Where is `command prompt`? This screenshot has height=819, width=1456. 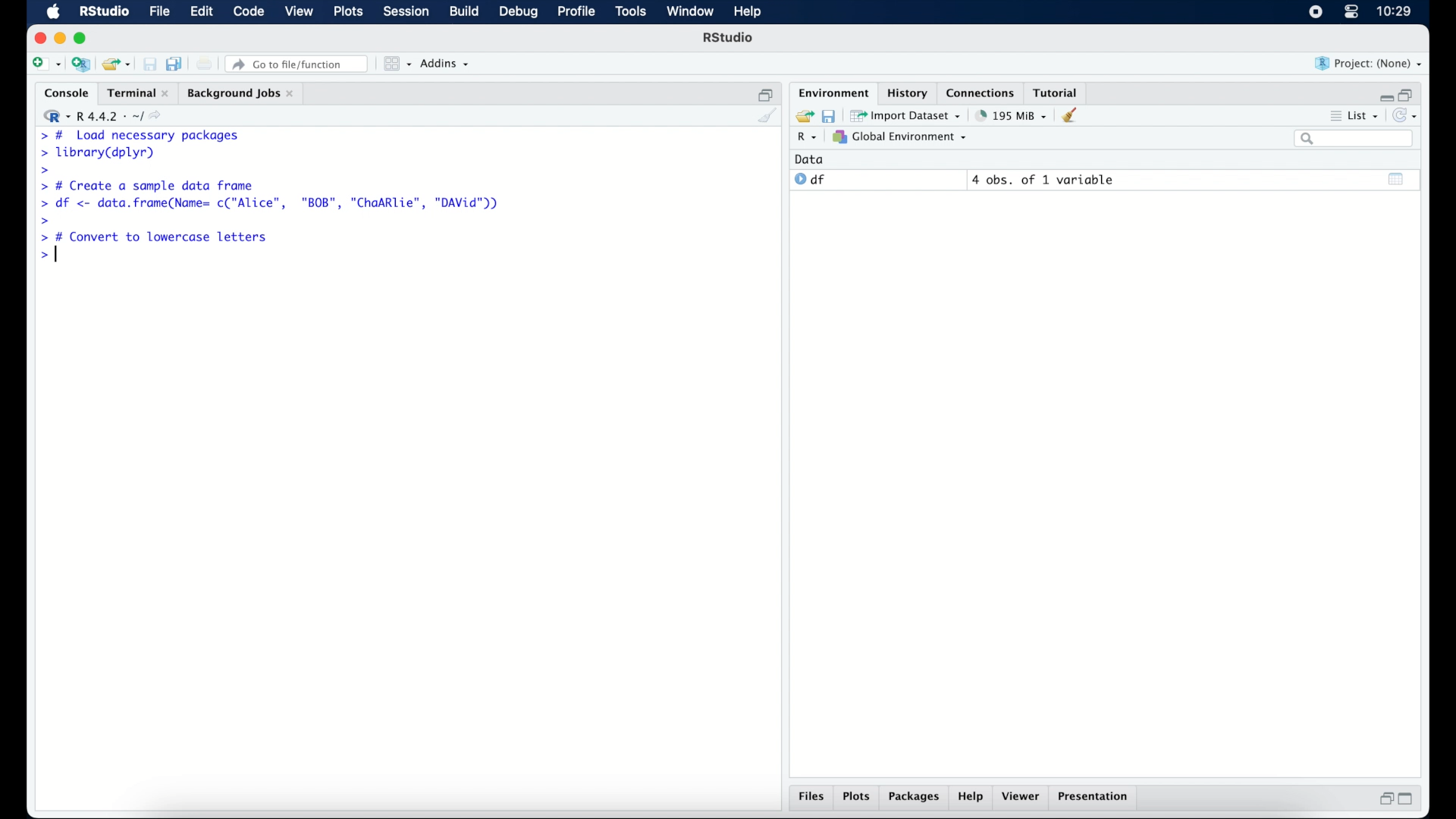
command prompt is located at coordinates (42, 171).